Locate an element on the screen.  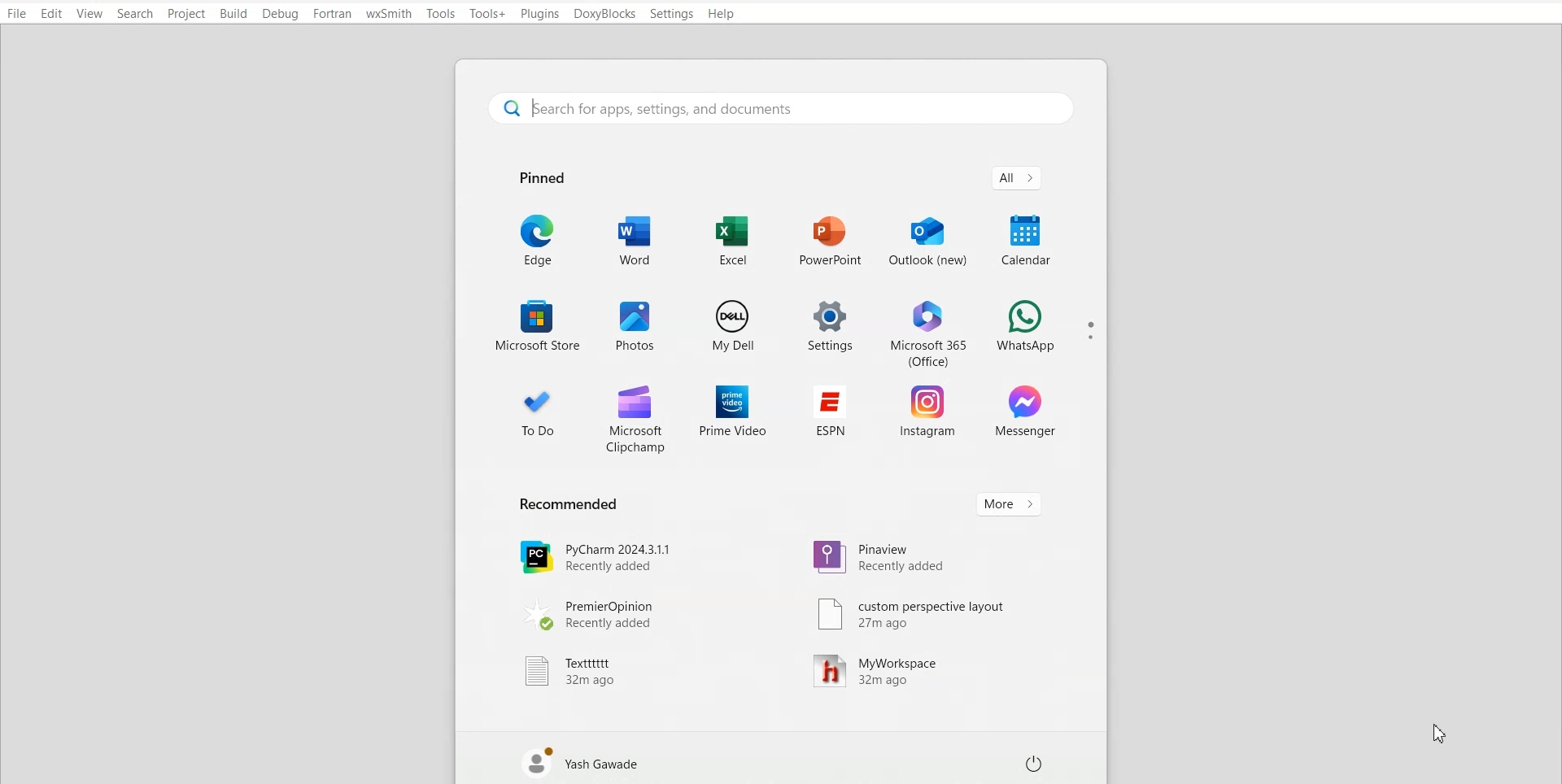
Pinaview is located at coordinates (880, 557).